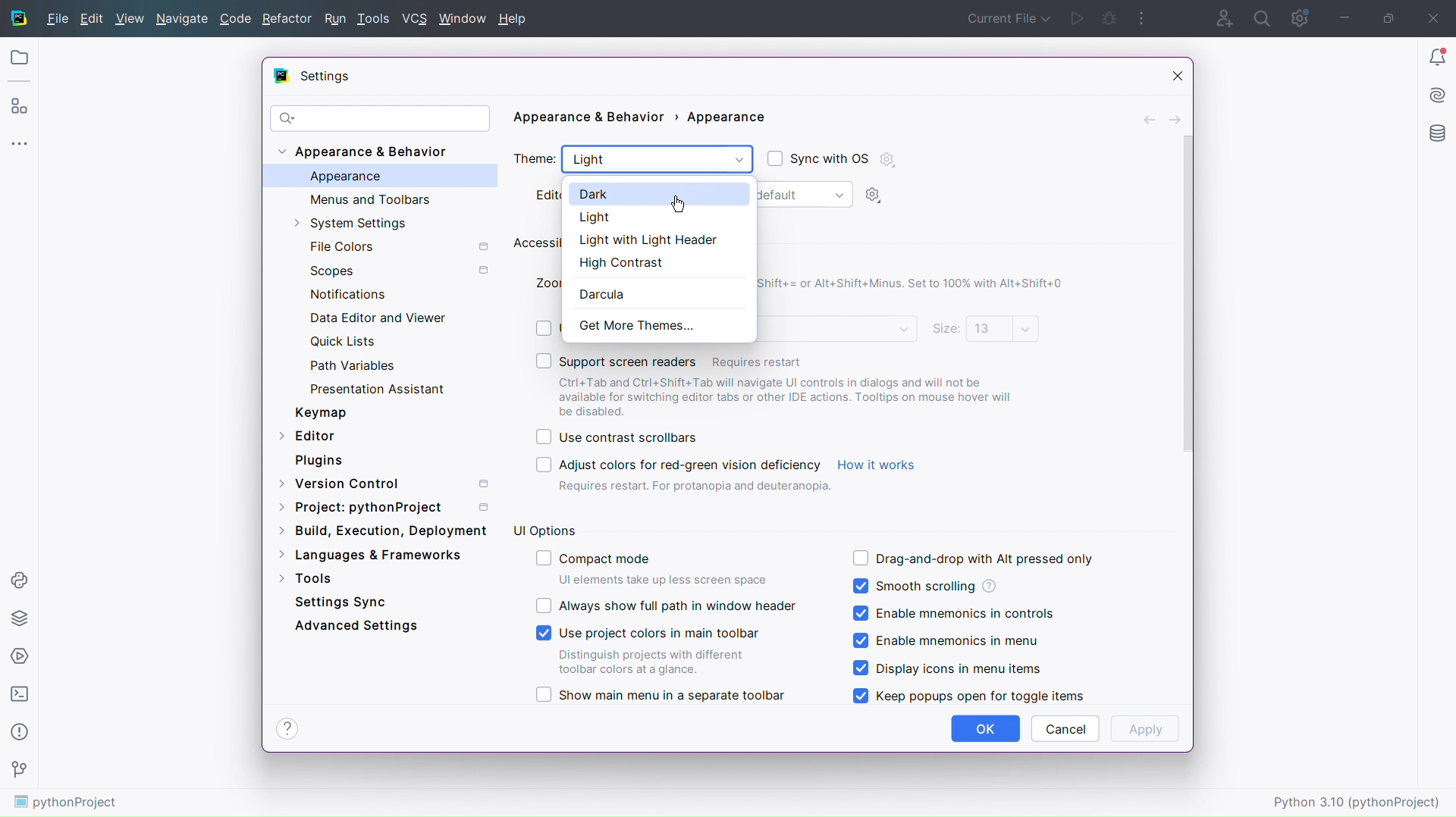 This screenshot has height=817, width=1456. I want to click on Notifications, so click(344, 293).